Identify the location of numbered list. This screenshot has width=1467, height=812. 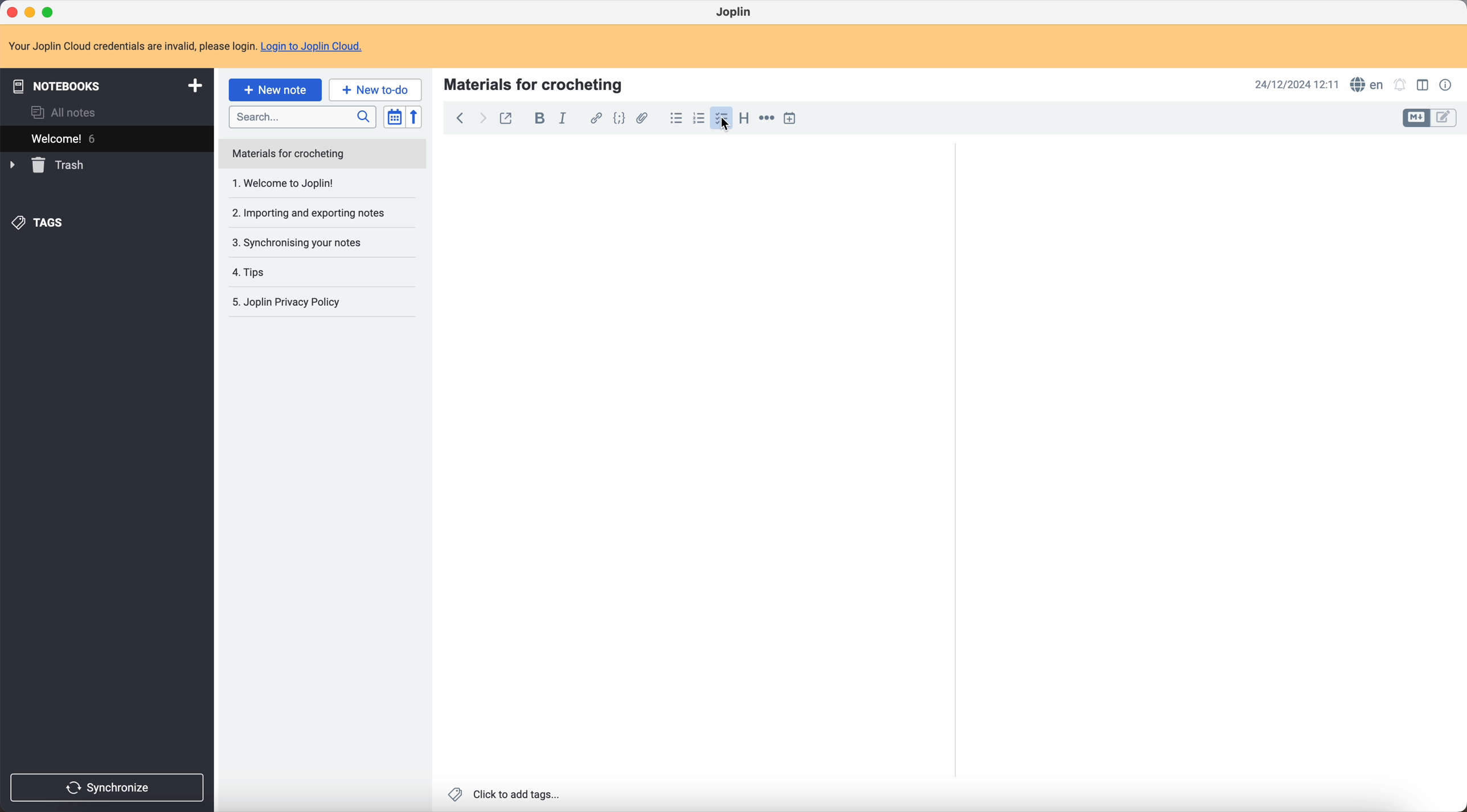
(698, 118).